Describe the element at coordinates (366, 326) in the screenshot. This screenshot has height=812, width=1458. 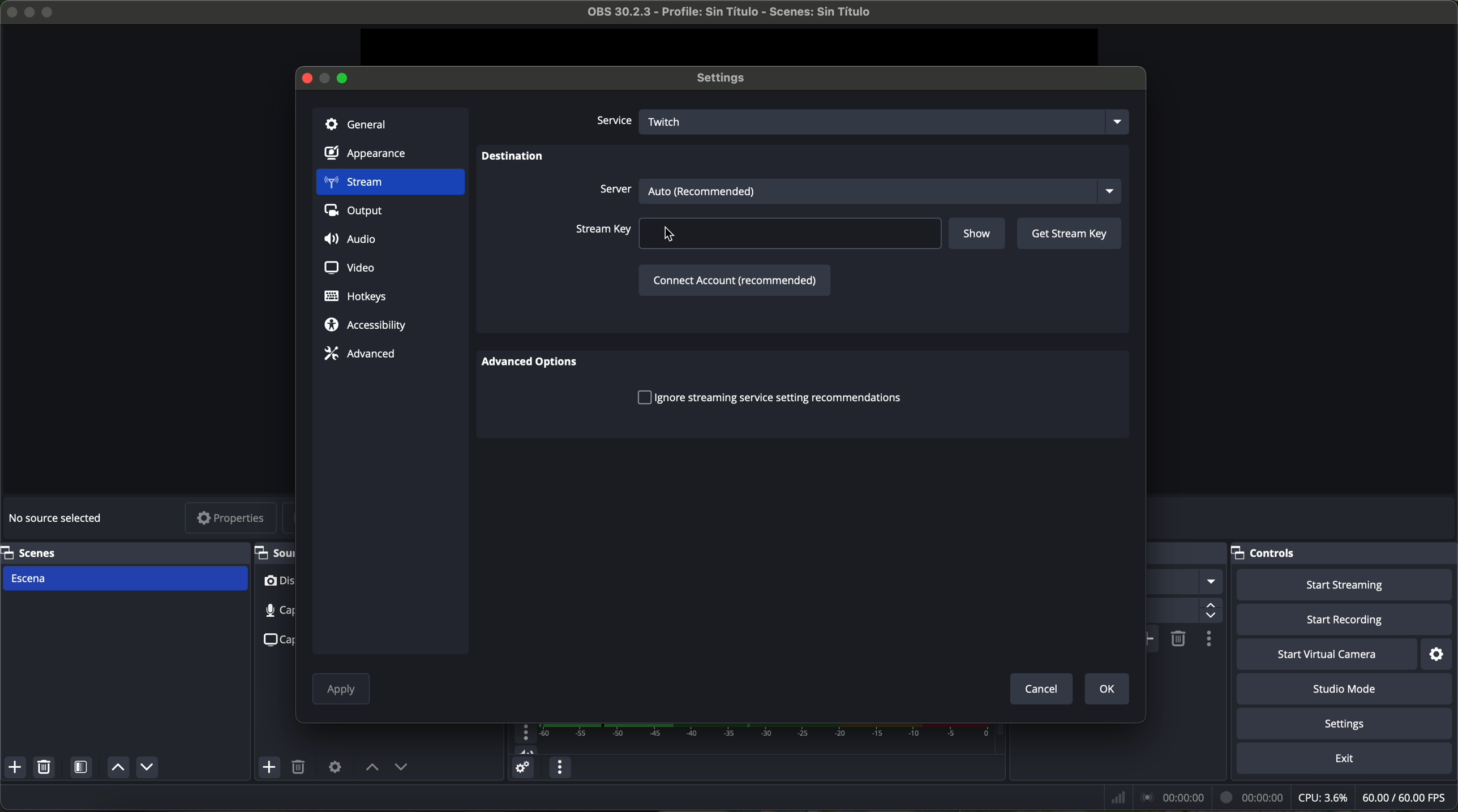
I see `accessibility` at that location.